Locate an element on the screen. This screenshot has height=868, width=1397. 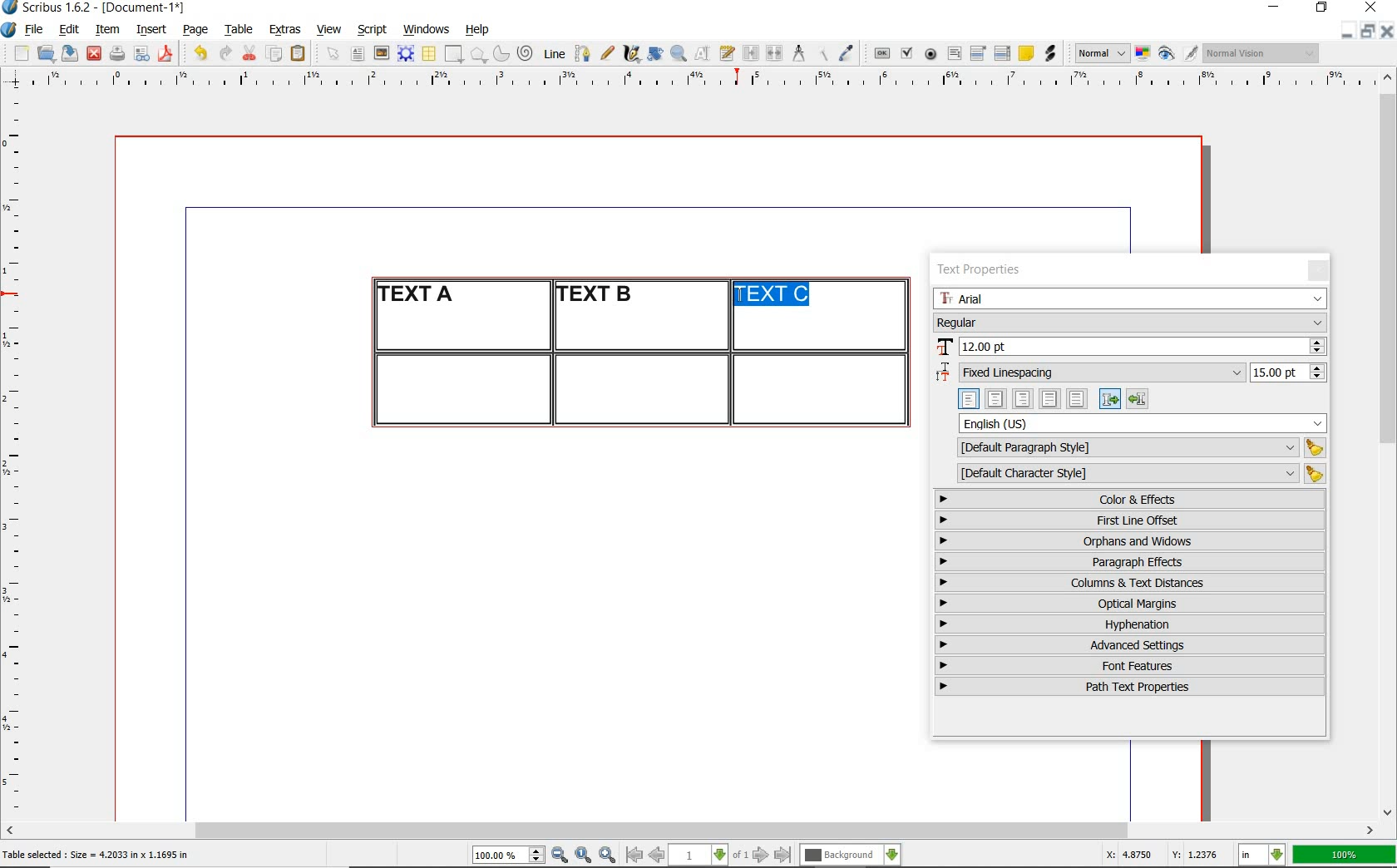
close is located at coordinates (94, 54).